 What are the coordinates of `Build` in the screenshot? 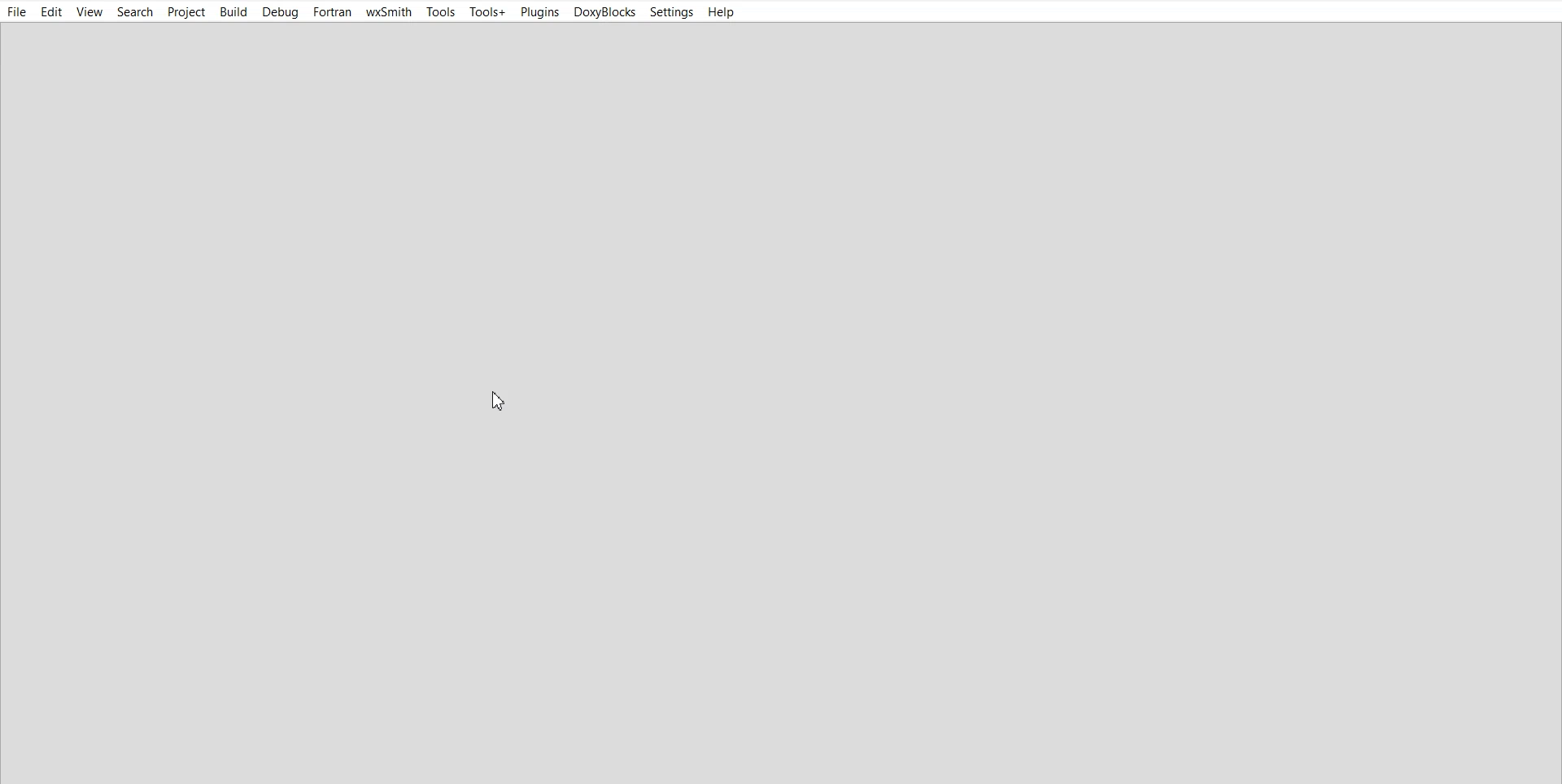 It's located at (233, 11).